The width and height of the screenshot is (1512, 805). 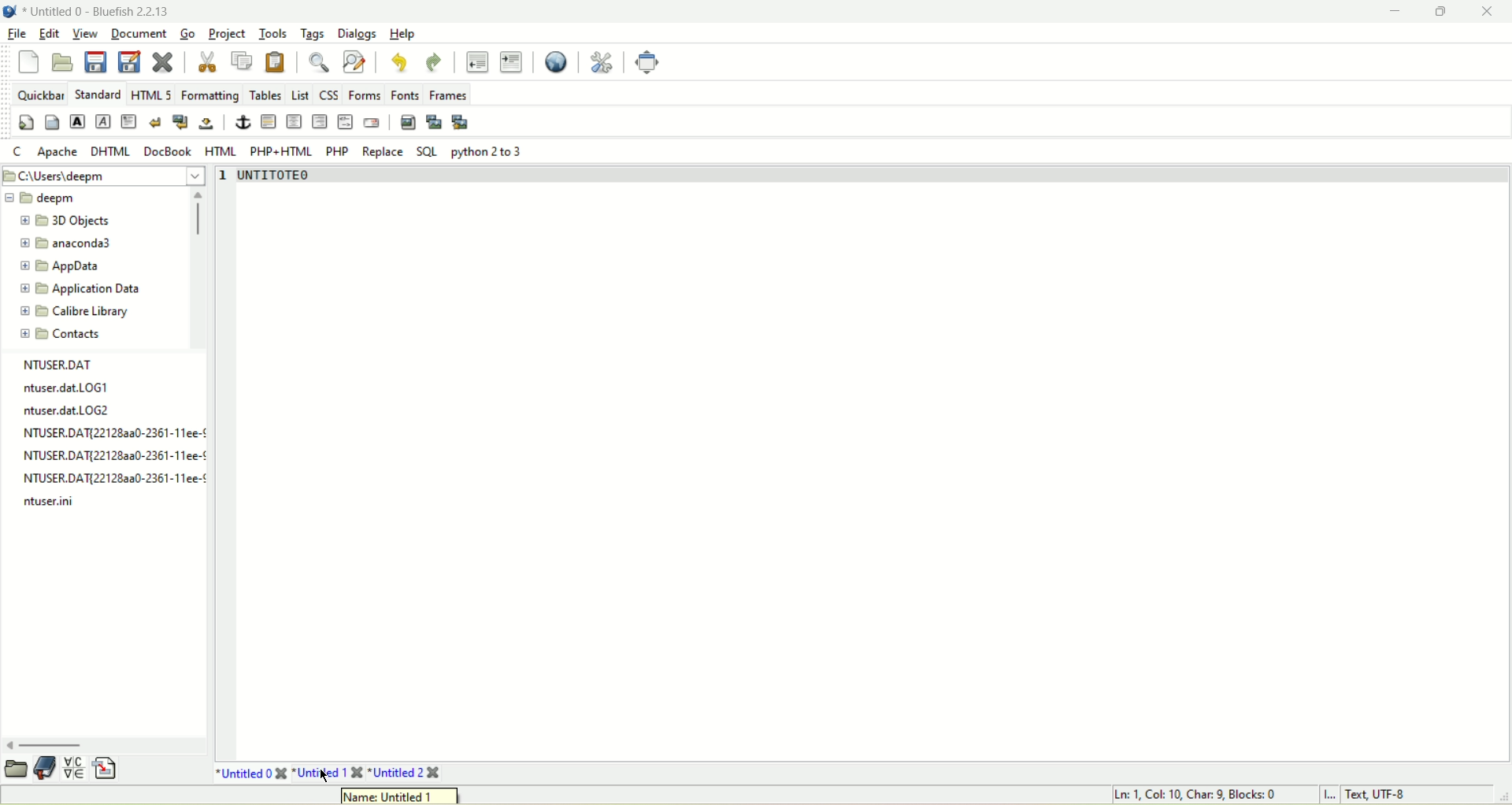 What do you see at coordinates (493, 151) in the screenshot?
I see `python 2to 3` at bounding box center [493, 151].